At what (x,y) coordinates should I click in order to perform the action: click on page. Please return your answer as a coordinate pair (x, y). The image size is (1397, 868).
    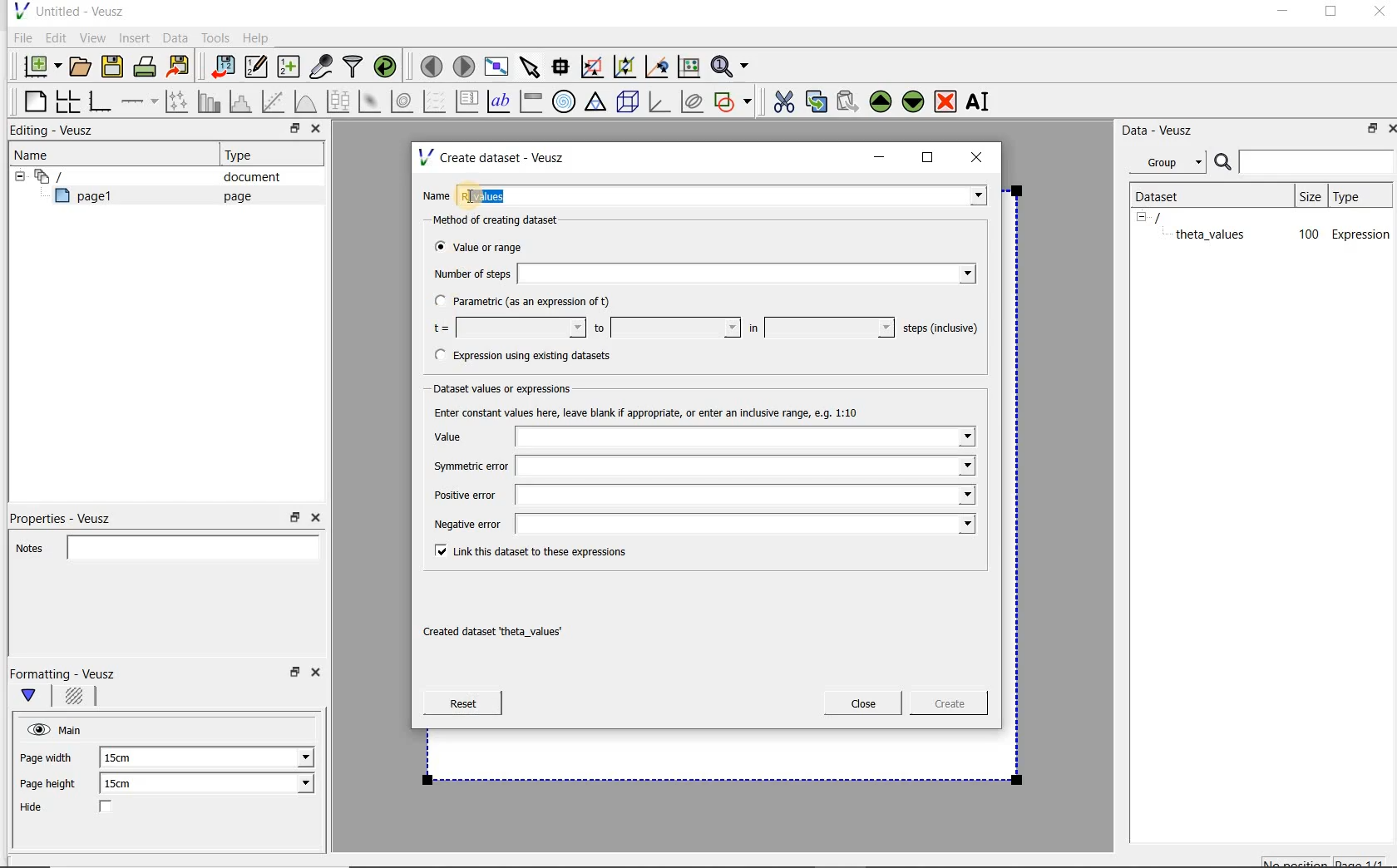
    Looking at the image, I should click on (234, 196).